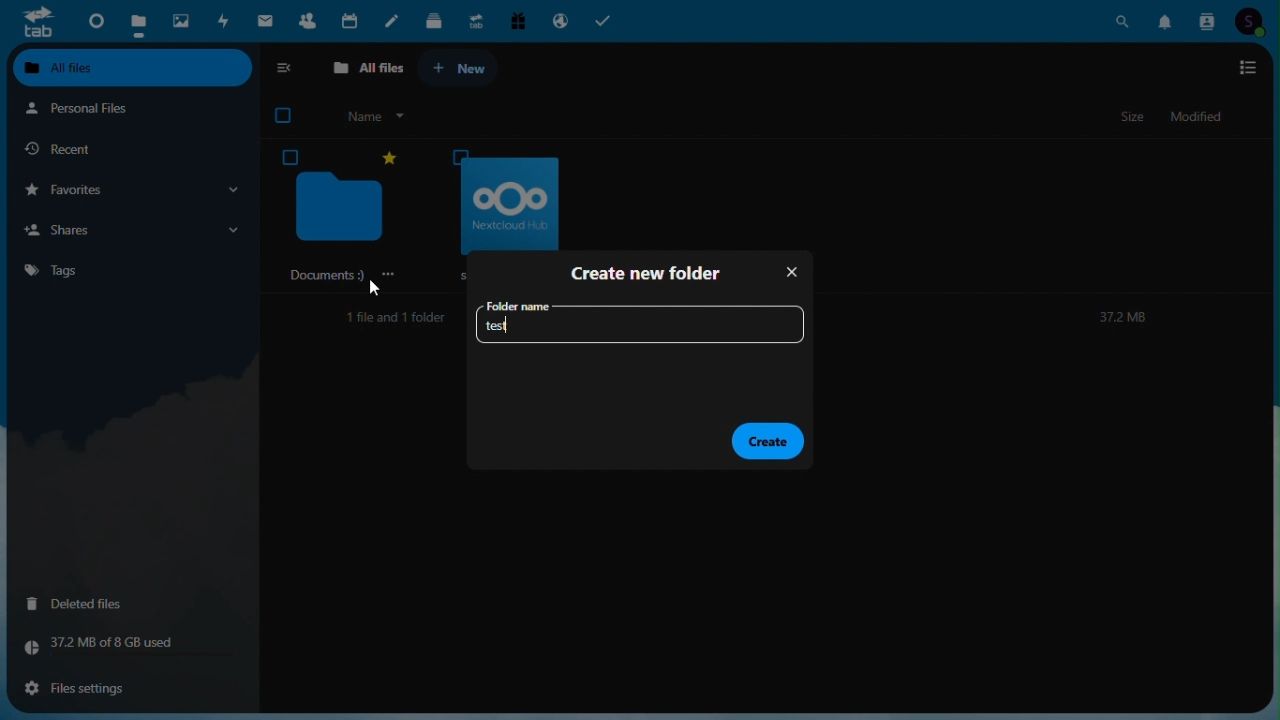 Image resolution: width=1280 pixels, height=720 pixels. What do you see at coordinates (521, 301) in the screenshot?
I see `folder name` at bounding box center [521, 301].